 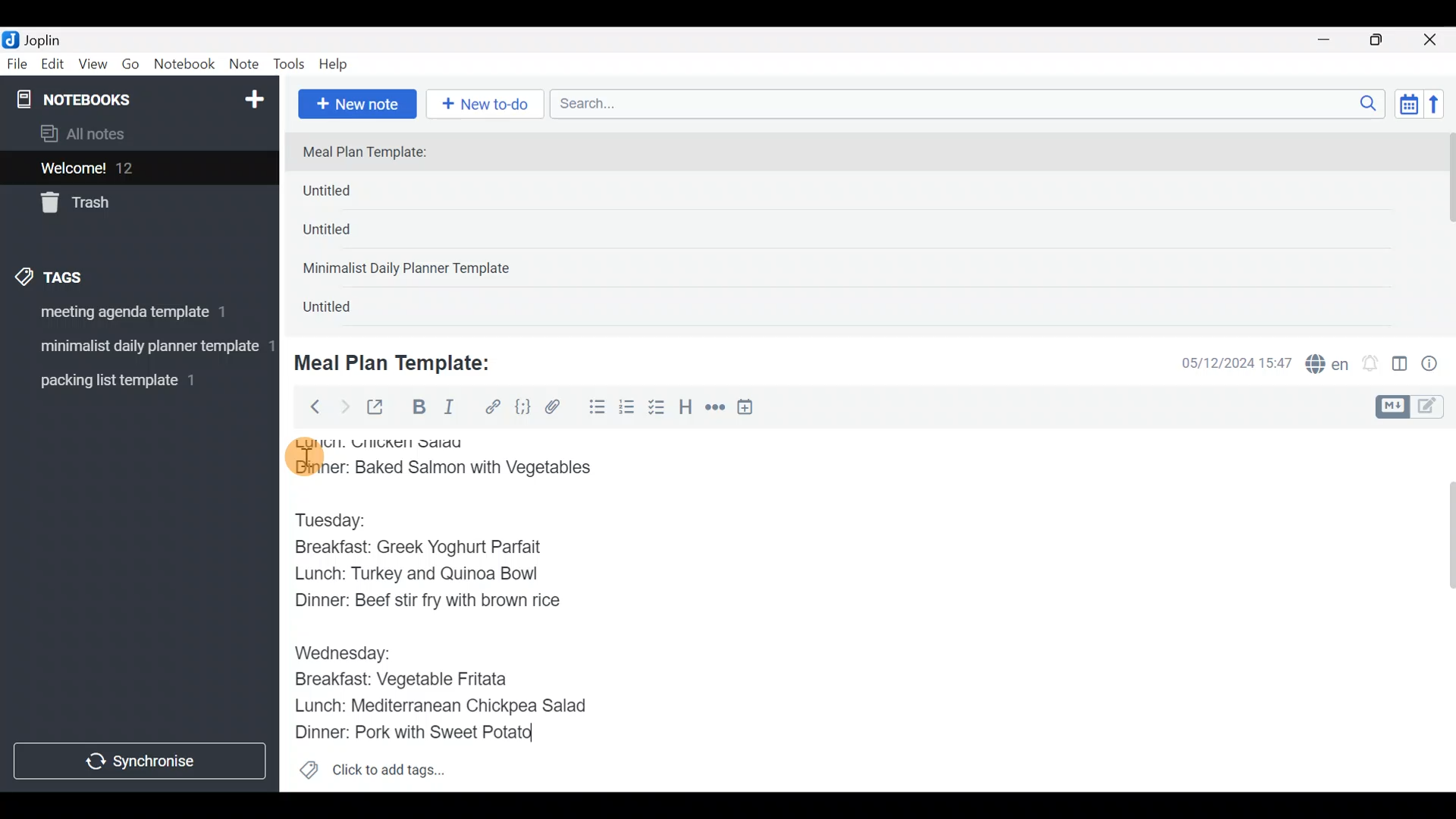 What do you see at coordinates (418, 409) in the screenshot?
I see `Bold` at bounding box center [418, 409].